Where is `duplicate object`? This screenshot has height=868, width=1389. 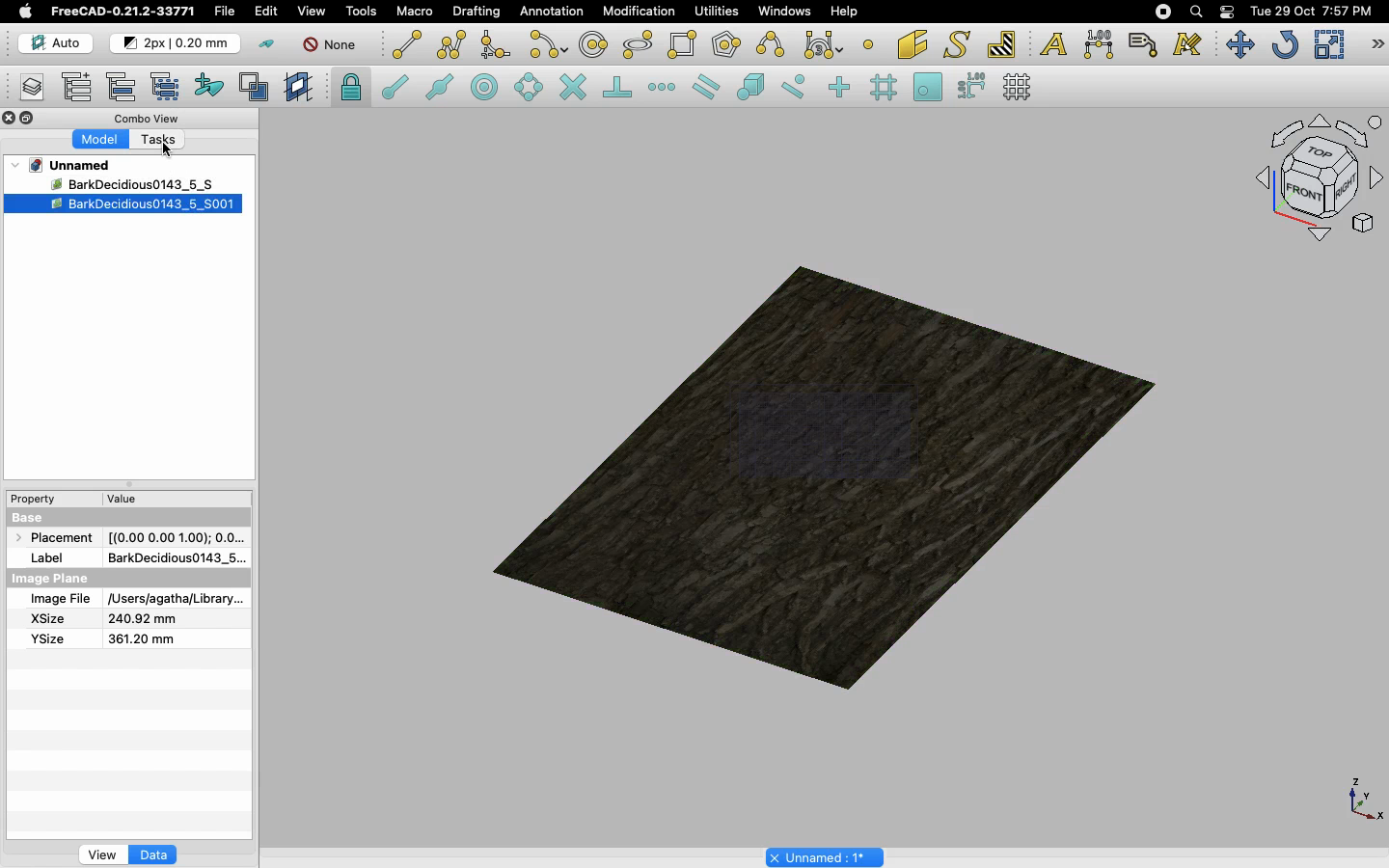
duplicate object is located at coordinates (123, 204).